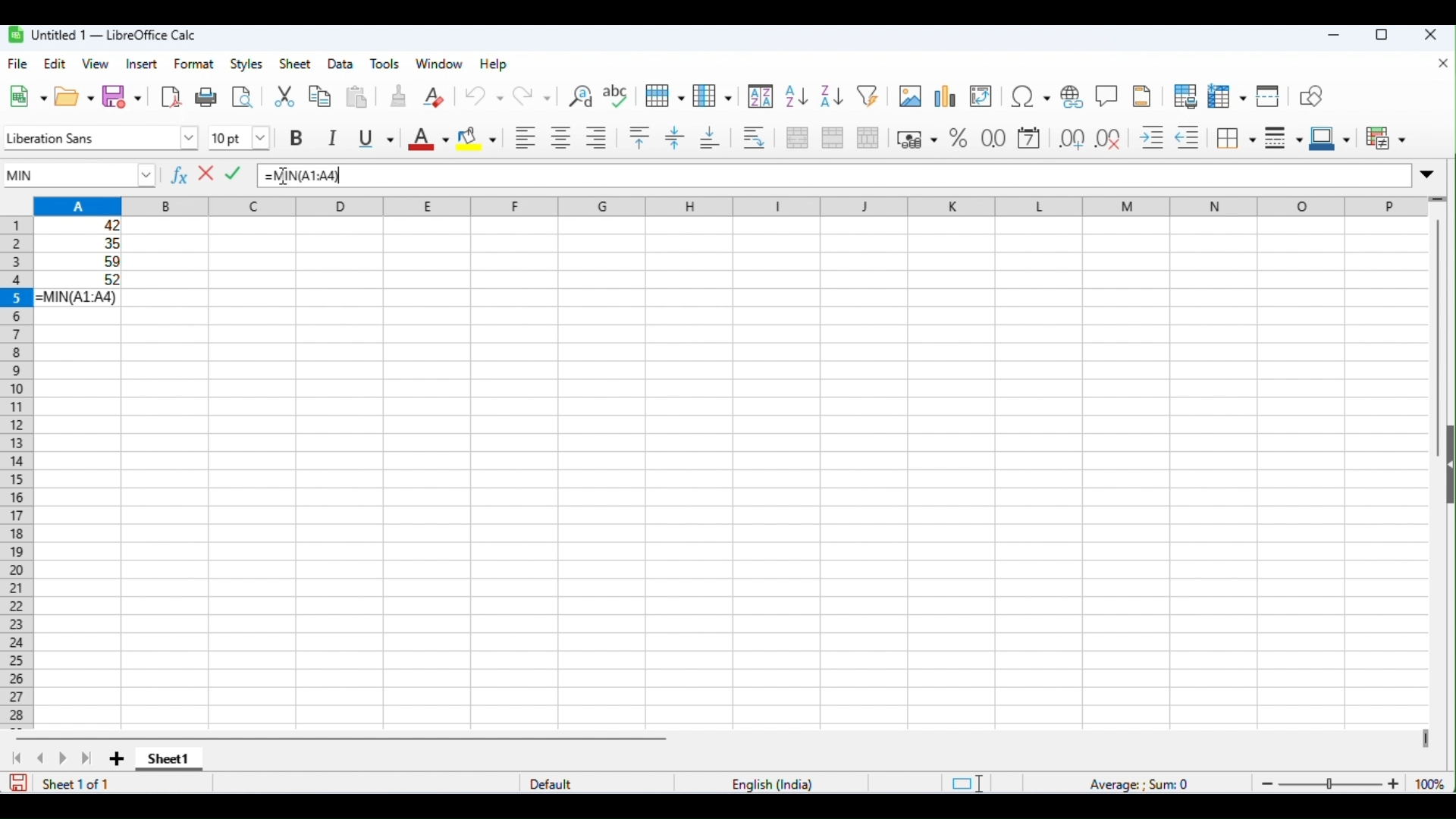 The height and width of the screenshot is (819, 1456). Describe the element at coordinates (17, 472) in the screenshot. I see `row numbers` at that location.